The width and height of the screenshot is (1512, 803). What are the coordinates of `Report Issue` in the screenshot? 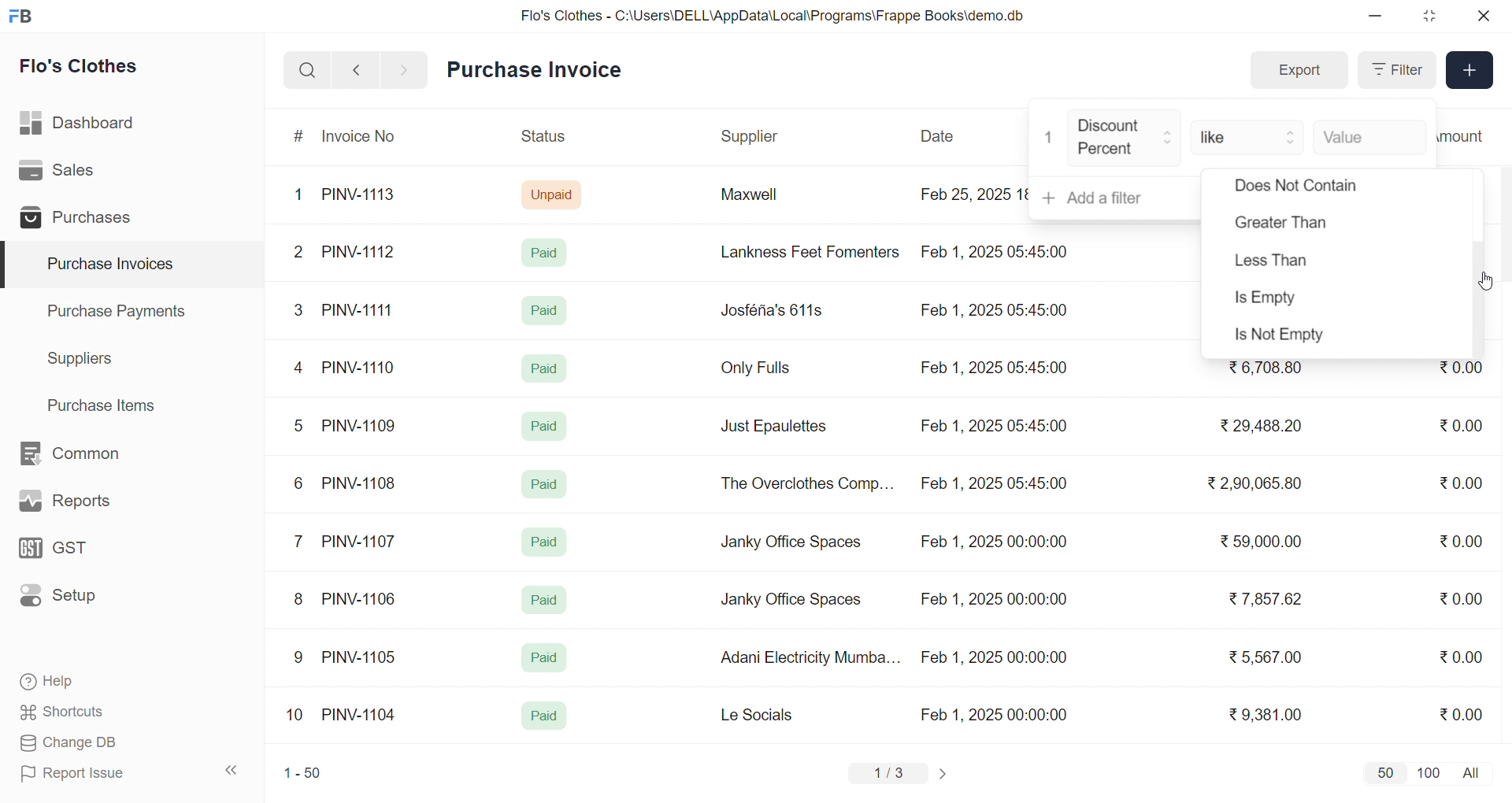 It's located at (98, 773).